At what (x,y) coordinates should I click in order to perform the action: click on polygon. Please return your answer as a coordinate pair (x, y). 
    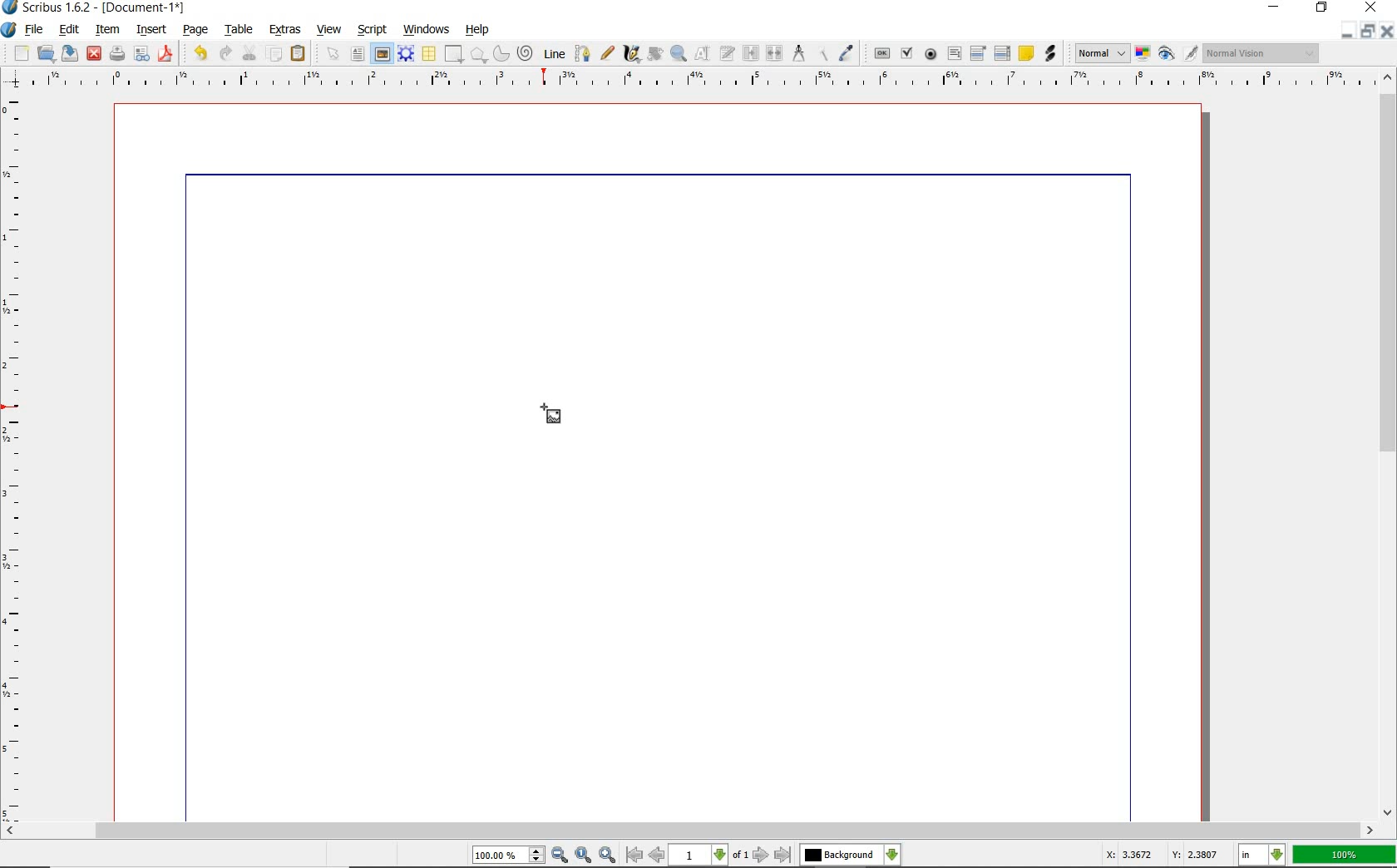
    Looking at the image, I should click on (479, 54).